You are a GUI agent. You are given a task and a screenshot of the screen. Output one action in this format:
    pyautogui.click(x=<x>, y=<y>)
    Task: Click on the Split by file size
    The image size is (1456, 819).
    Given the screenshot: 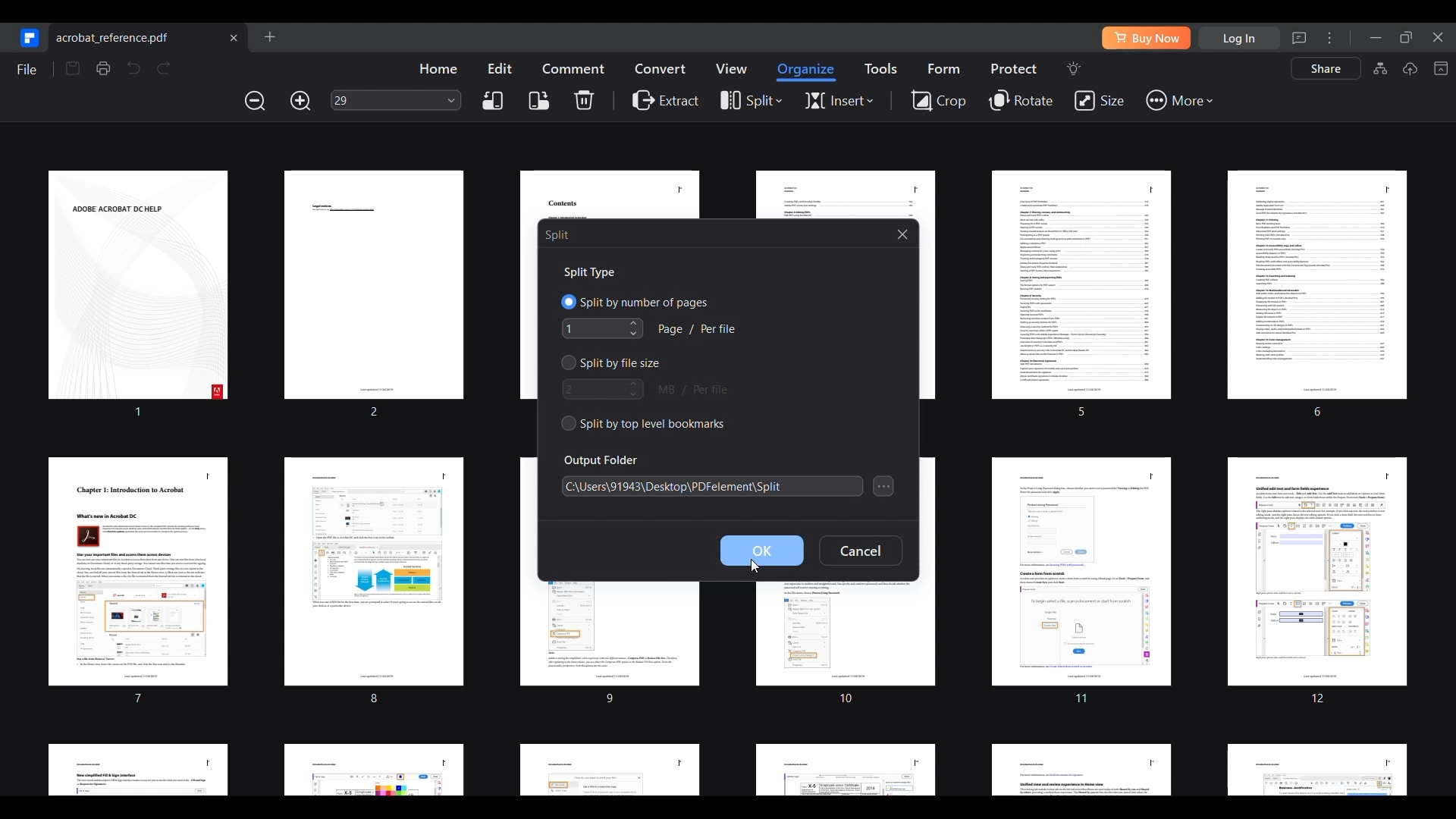 What is the action you would take?
    pyautogui.click(x=611, y=362)
    